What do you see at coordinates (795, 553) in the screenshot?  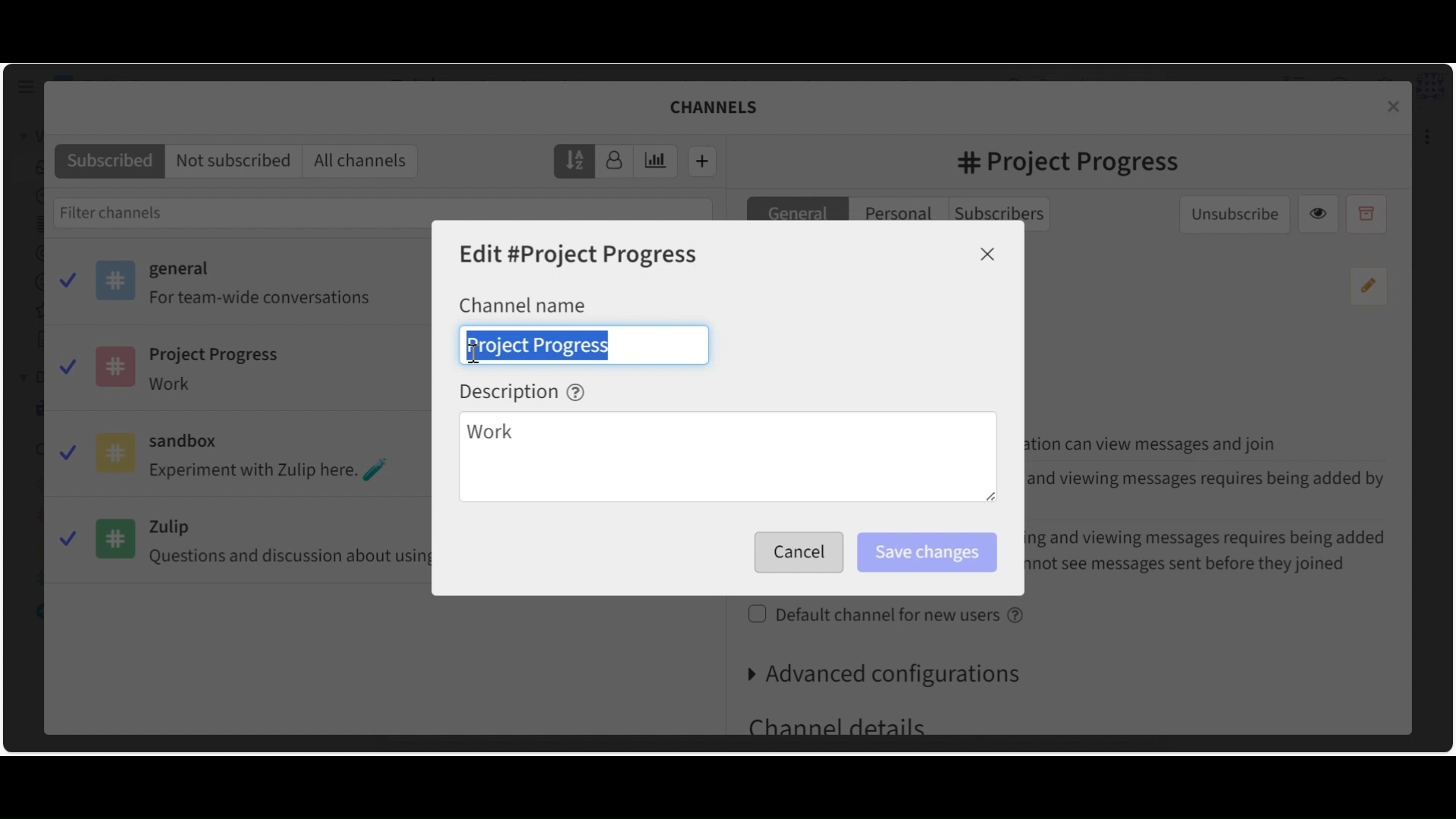 I see `Save ` at bounding box center [795, 553].